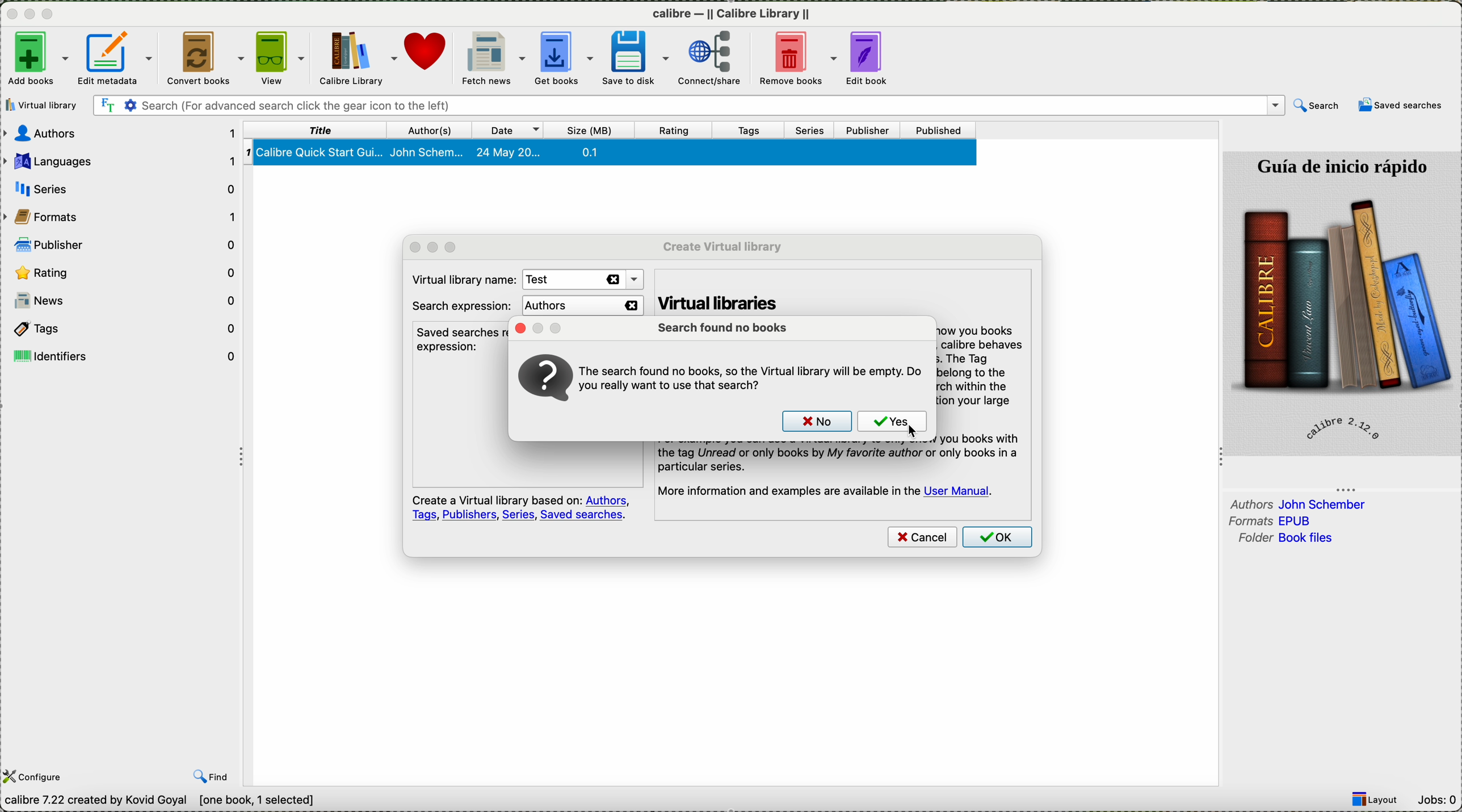 Image resolution: width=1462 pixels, height=812 pixels. Describe the element at coordinates (409, 247) in the screenshot. I see `close popup` at that location.